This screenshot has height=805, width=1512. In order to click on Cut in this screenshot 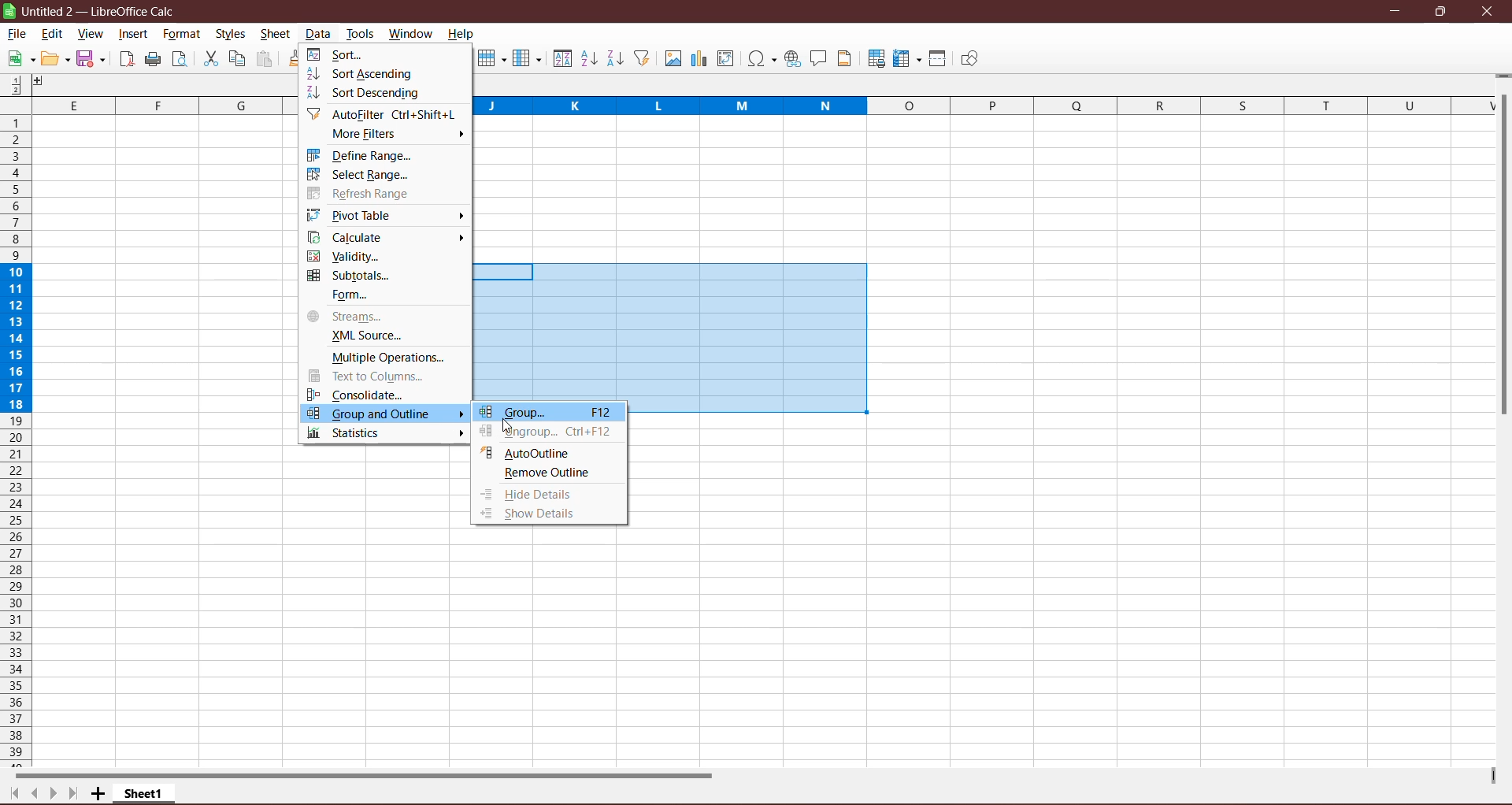, I will do `click(209, 59)`.